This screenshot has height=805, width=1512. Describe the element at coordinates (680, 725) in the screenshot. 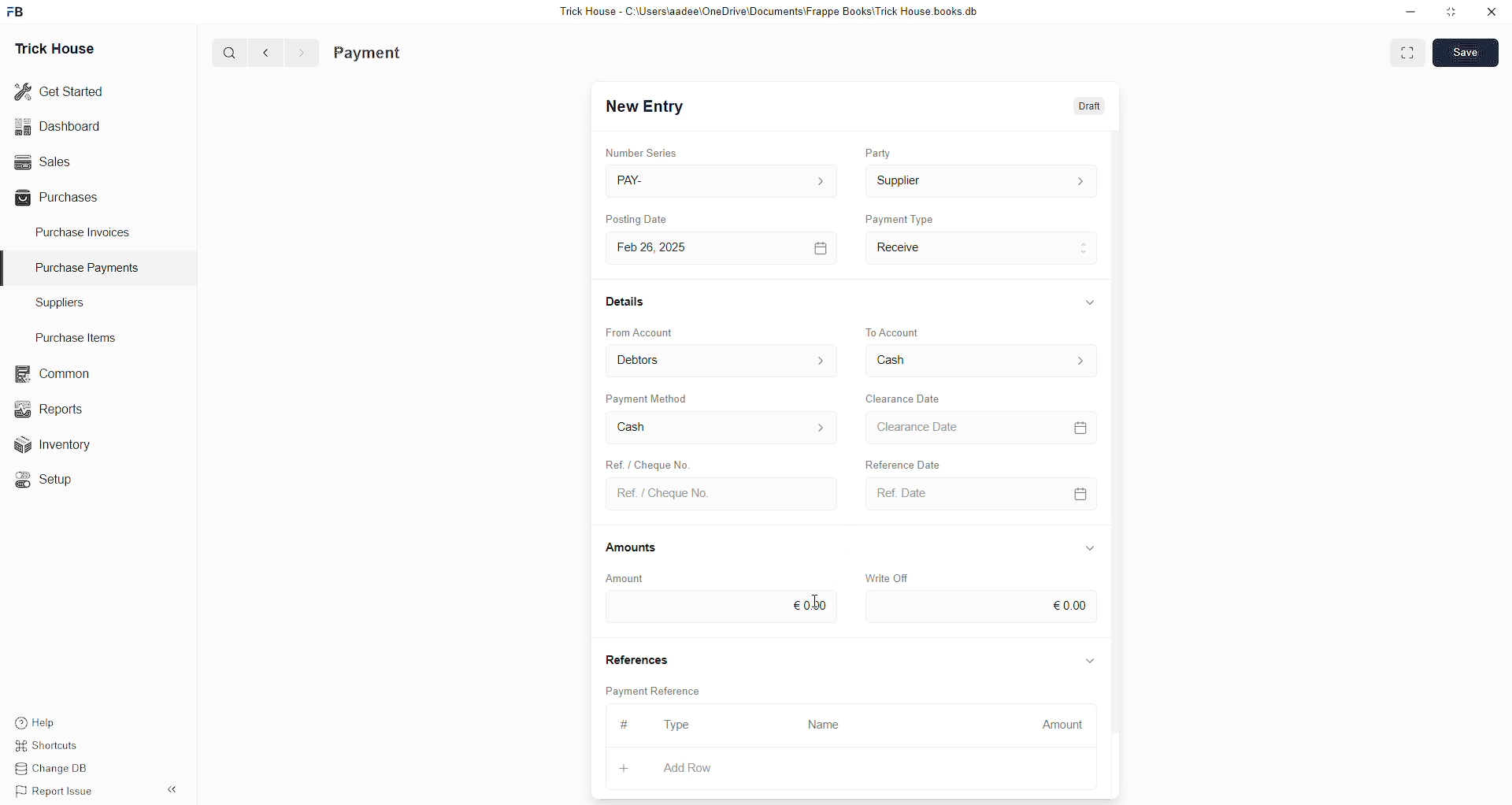

I see `Type` at that location.